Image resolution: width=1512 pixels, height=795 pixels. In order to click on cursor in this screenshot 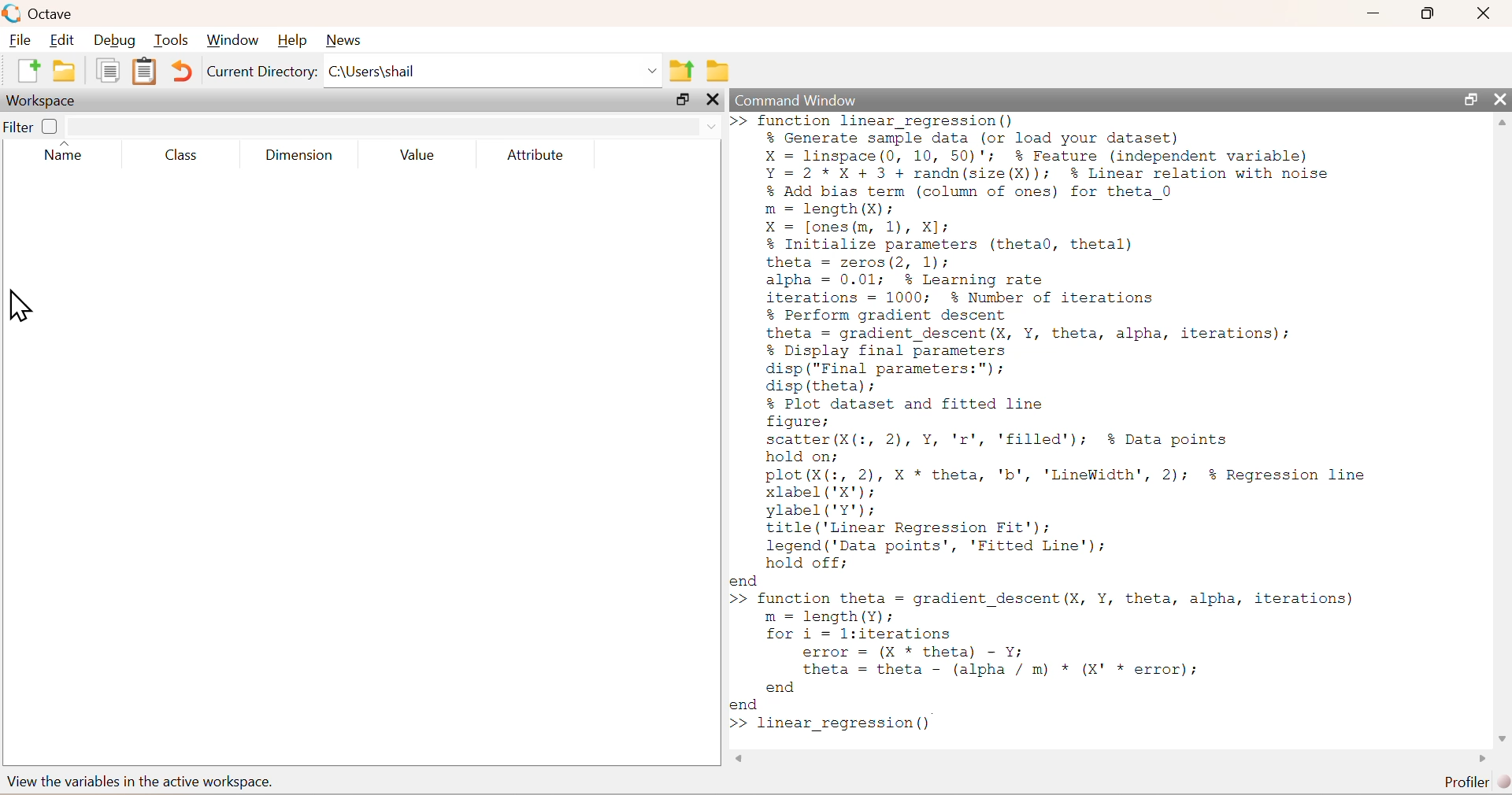, I will do `click(21, 305)`.